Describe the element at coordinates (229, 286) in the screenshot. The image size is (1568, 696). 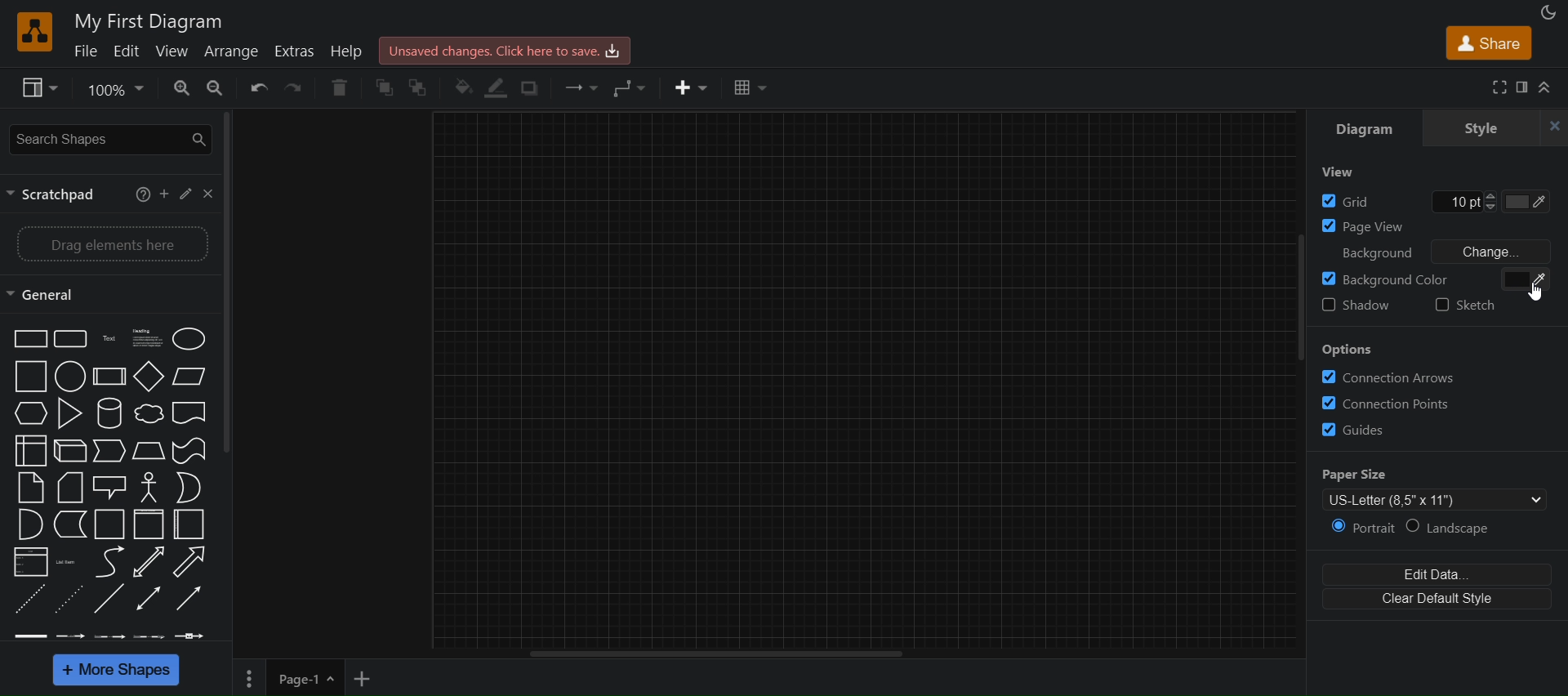
I see `vertical scroll bar` at that location.